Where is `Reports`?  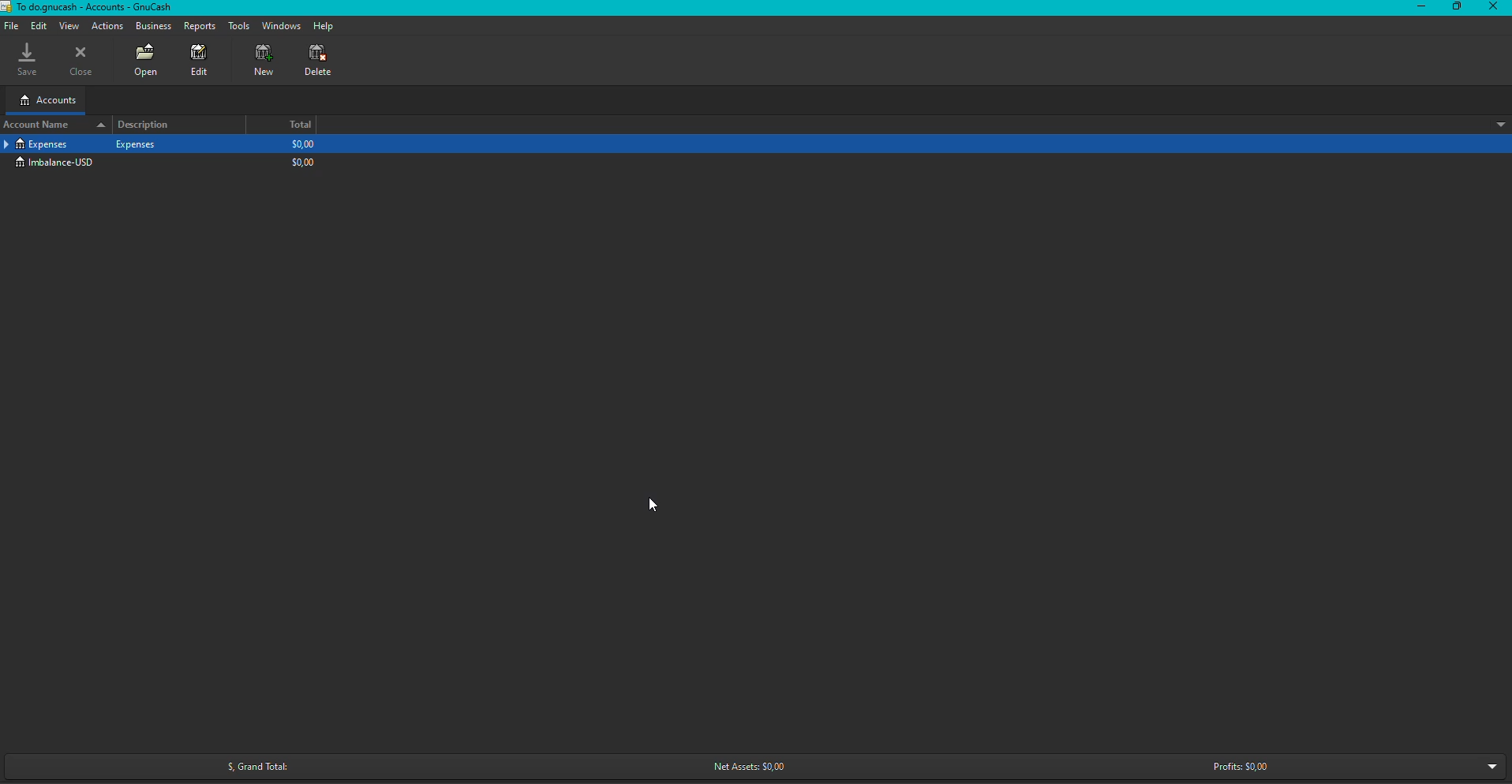 Reports is located at coordinates (197, 27).